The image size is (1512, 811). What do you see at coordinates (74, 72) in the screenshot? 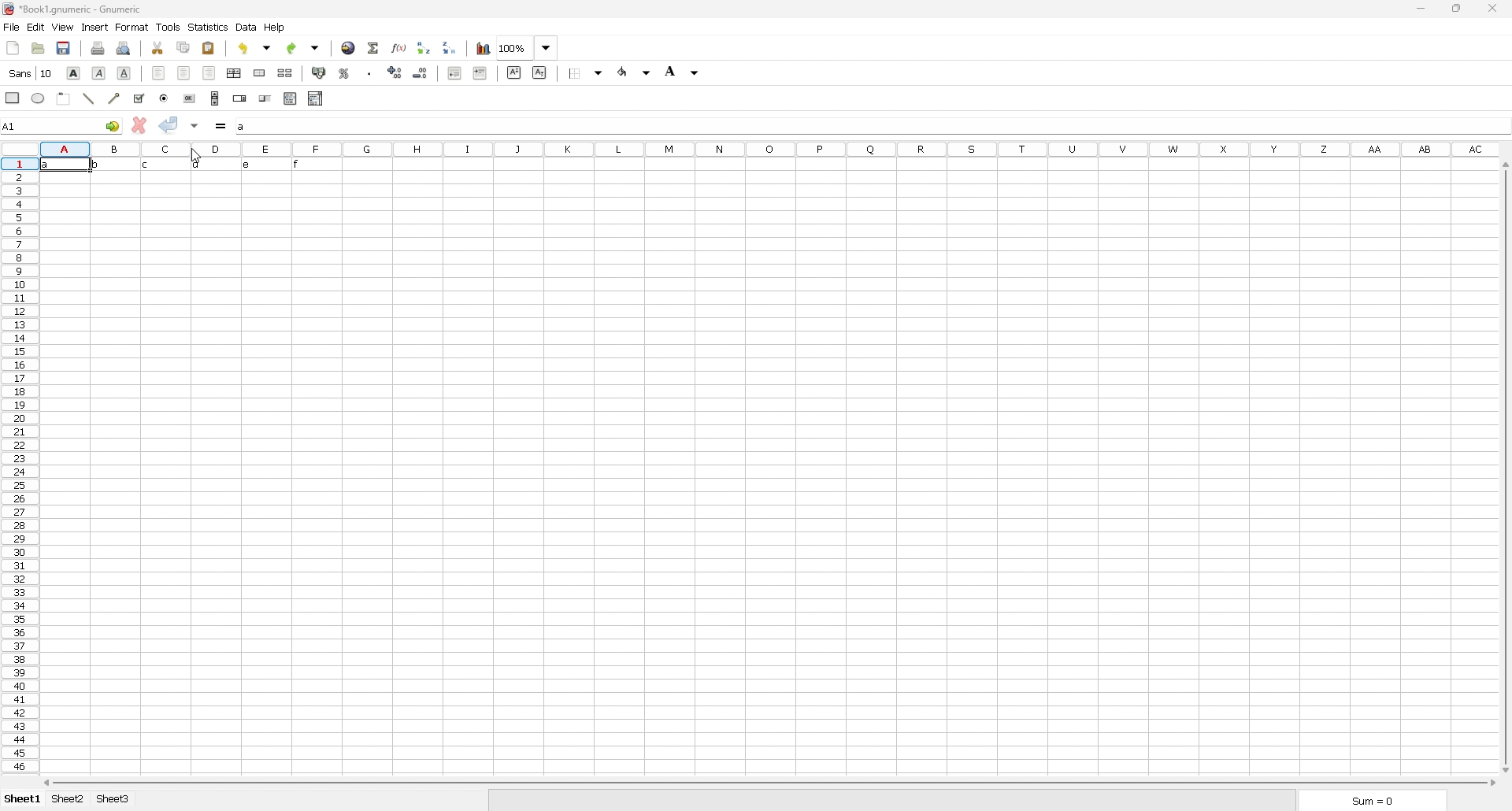
I see `bold` at bounding box center [74, 72].